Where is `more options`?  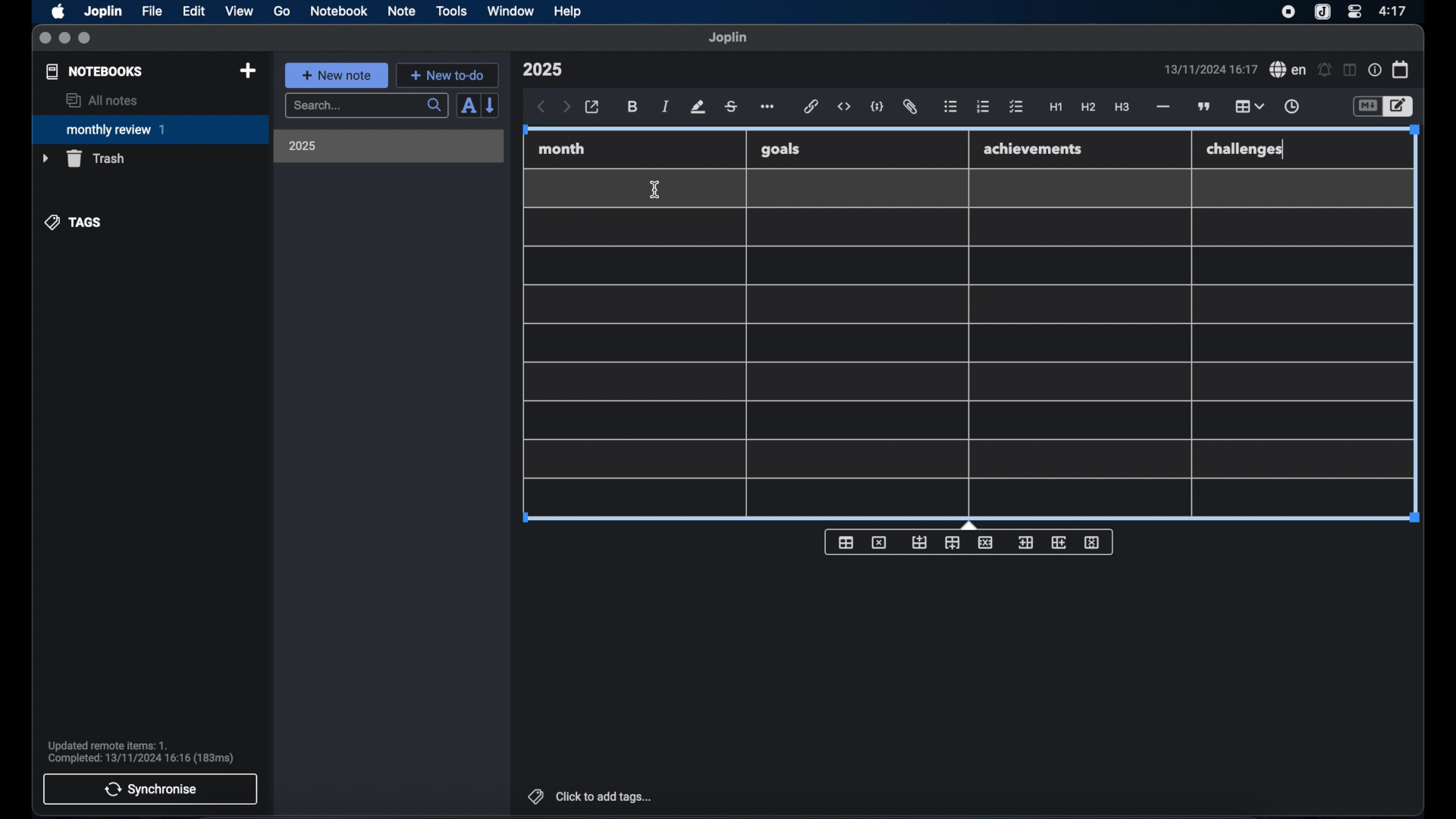
more options is located at coordinates (769, 108).